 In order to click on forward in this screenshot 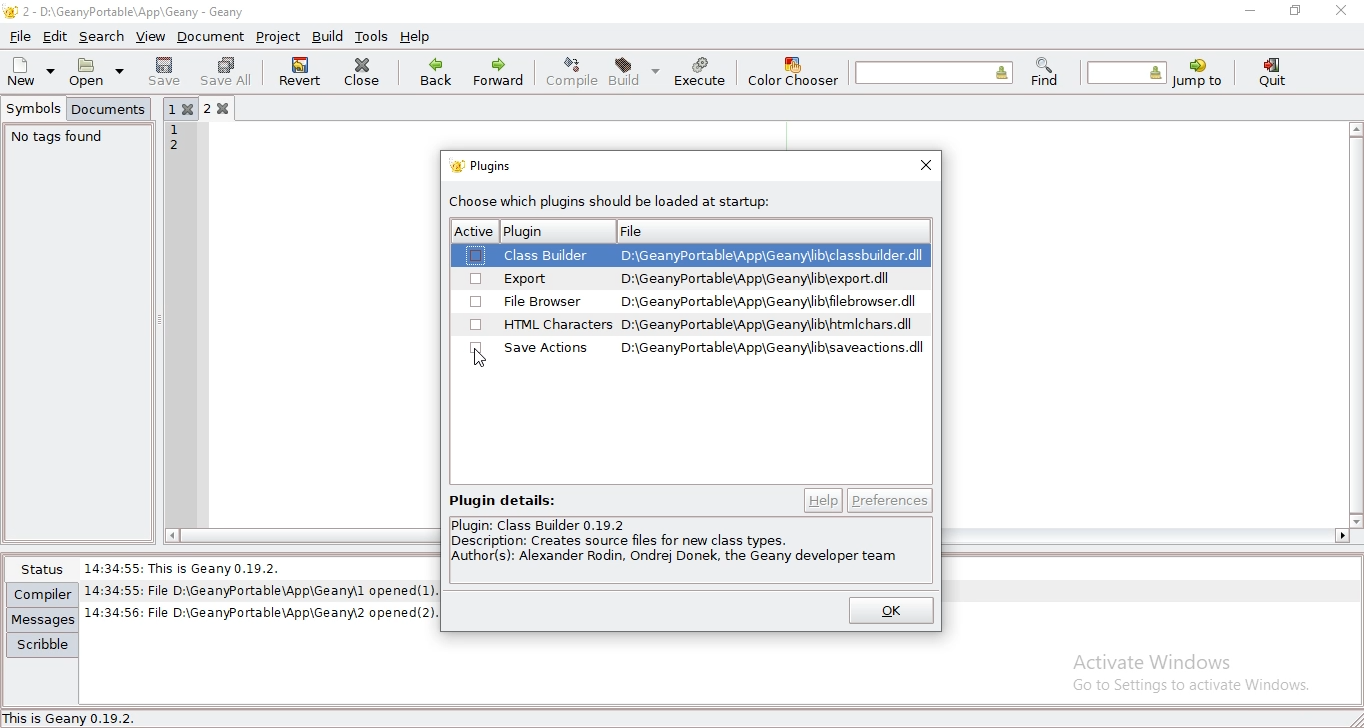, I will do `click(502, 71)`.